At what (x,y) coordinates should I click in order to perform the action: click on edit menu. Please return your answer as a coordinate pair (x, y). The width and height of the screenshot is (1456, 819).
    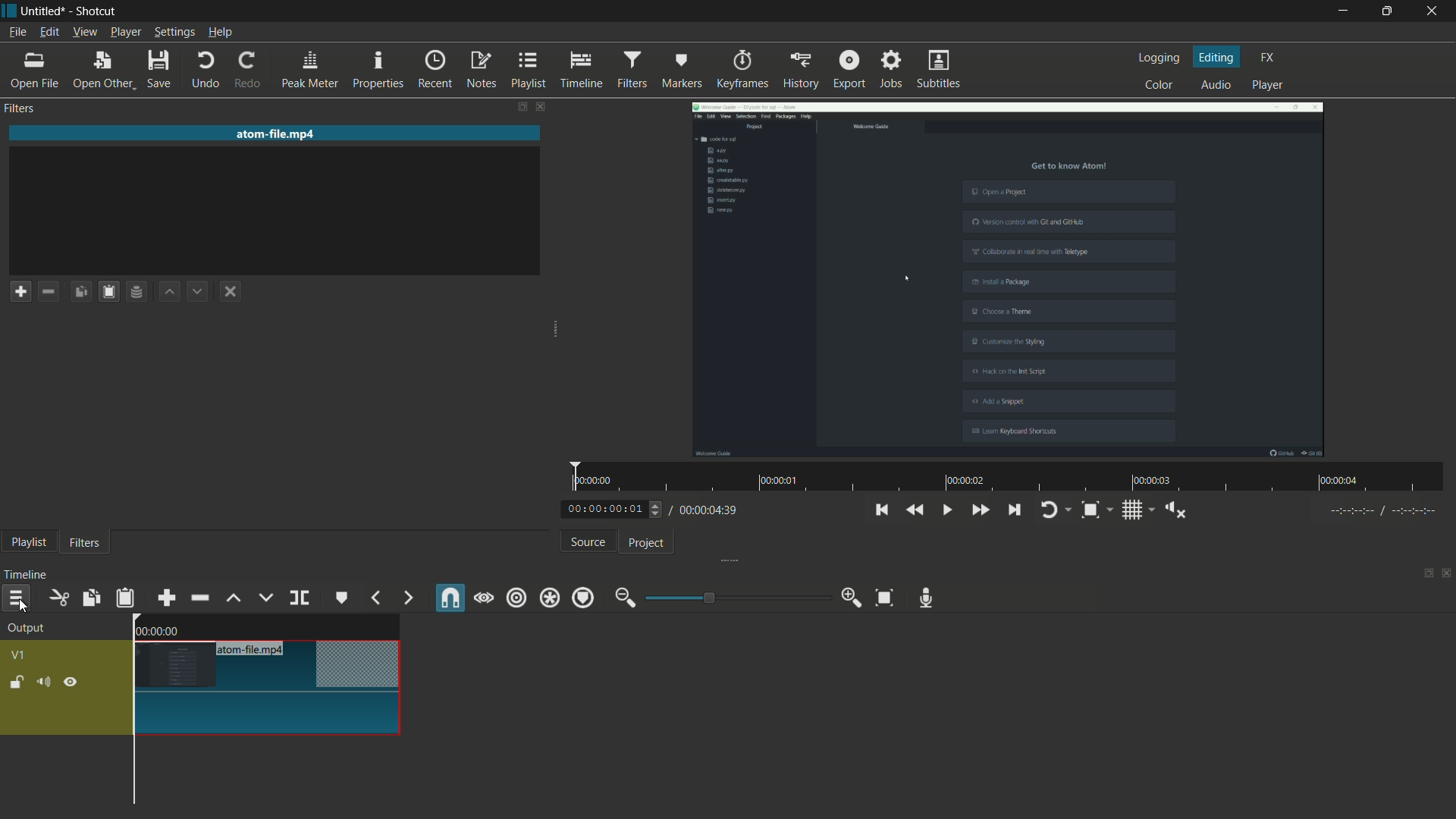
    Looking at the image, I should click on (50, 32).